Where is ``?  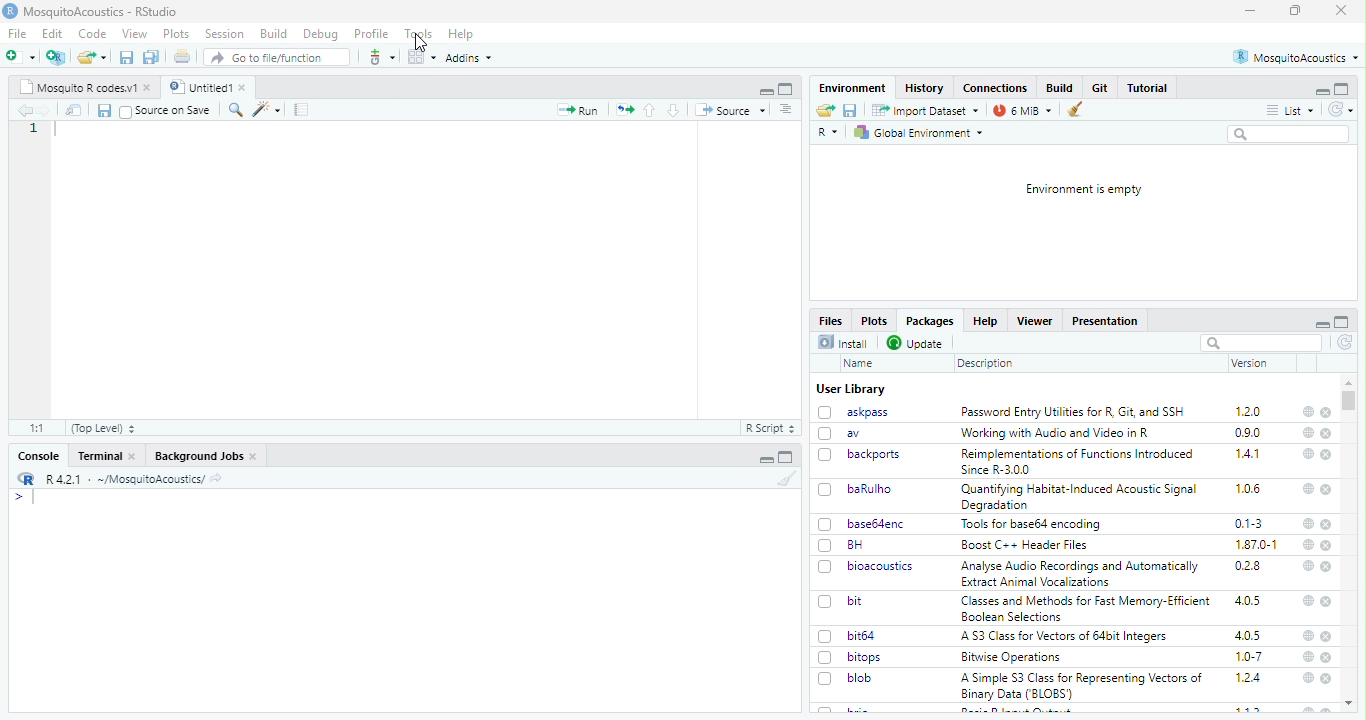
 is located at coordinates (1062, 87).